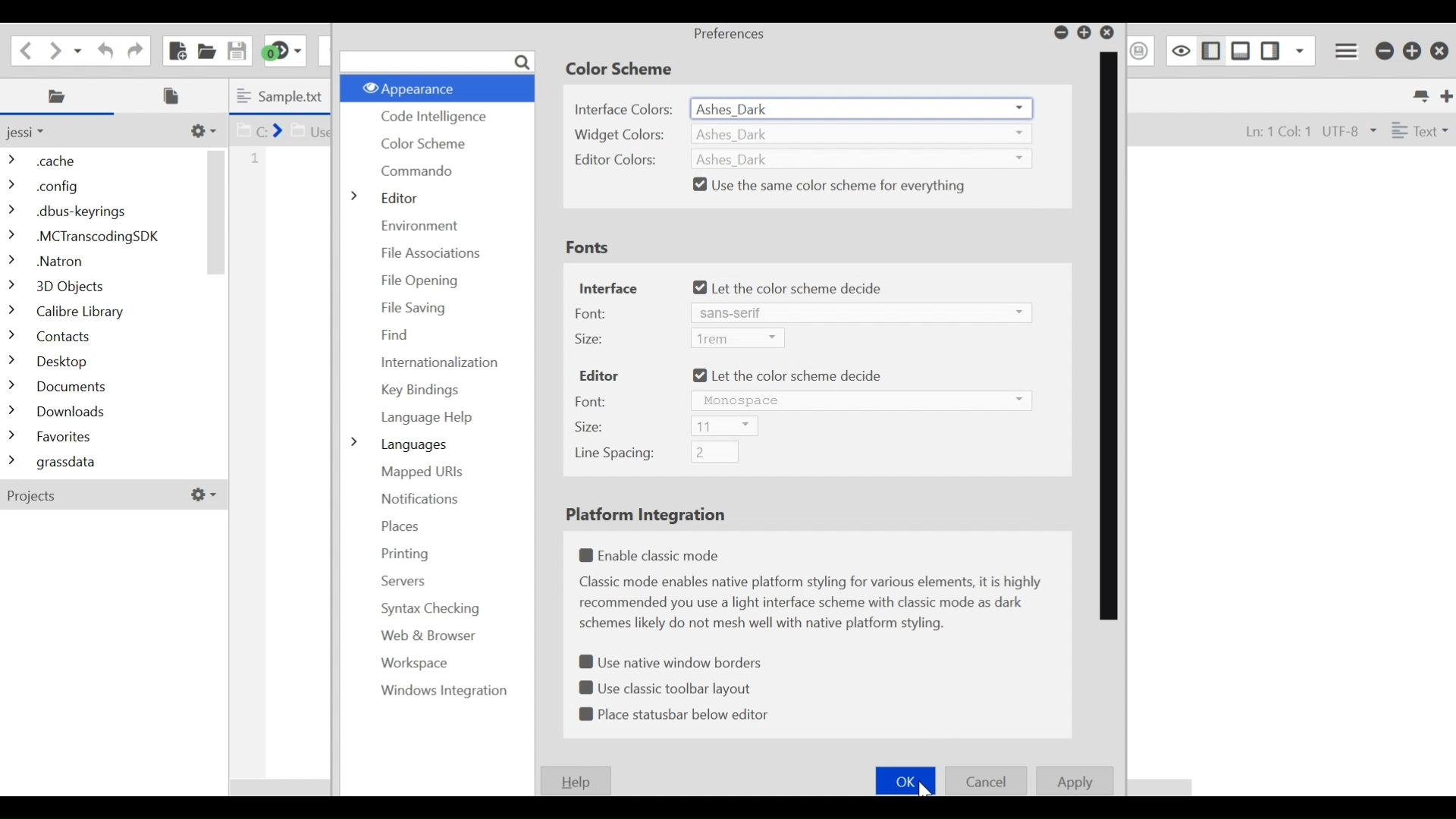 Image resolution: width=1456 pixels, height=819 pixels. What do you see at coordinates (1270, 130) in the screenshot?
I see `File Position` at bounding box center [1270, 130].